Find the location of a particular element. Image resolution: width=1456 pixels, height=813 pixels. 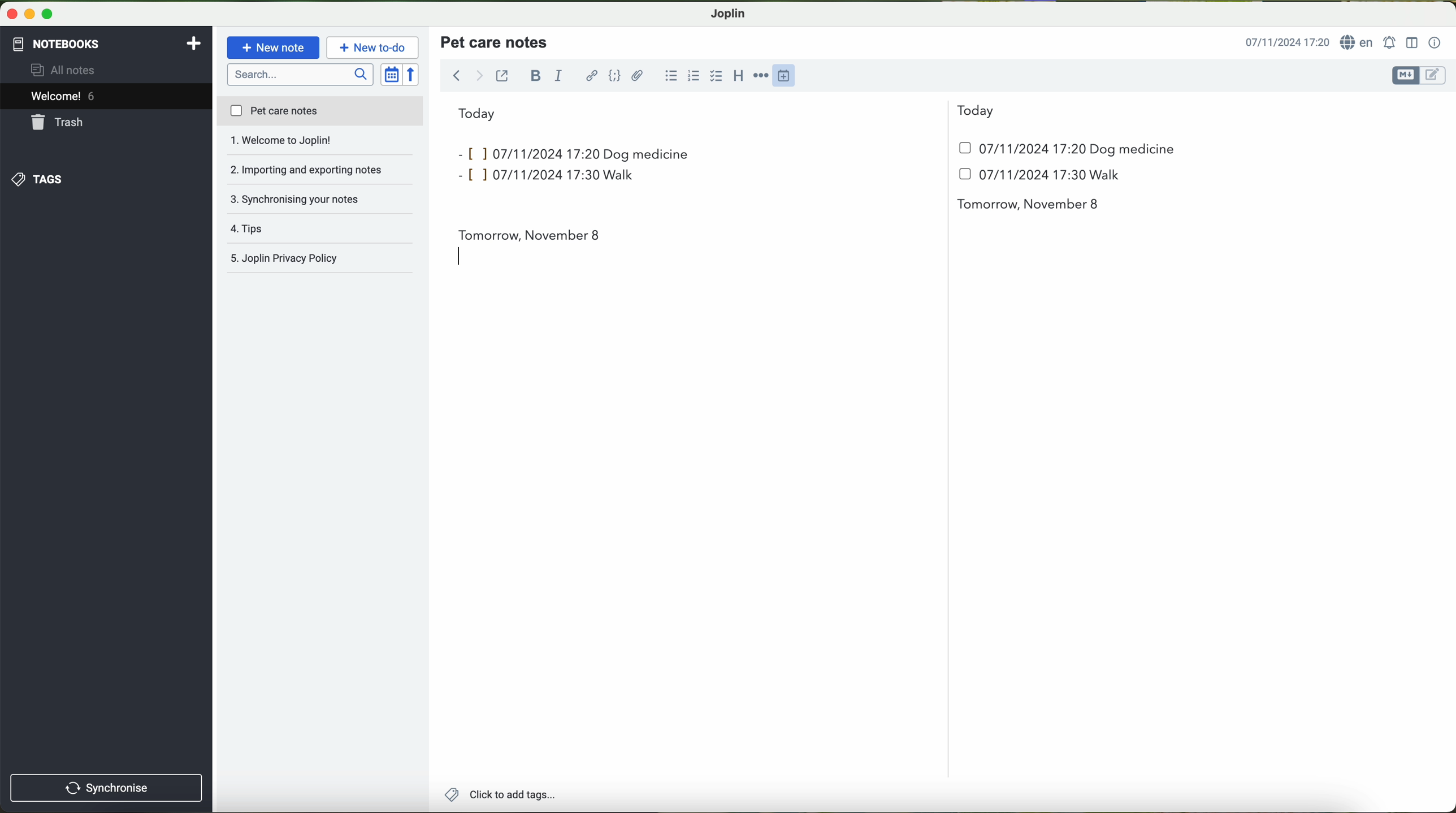

hyperlink is located at coordinates (593, 77).